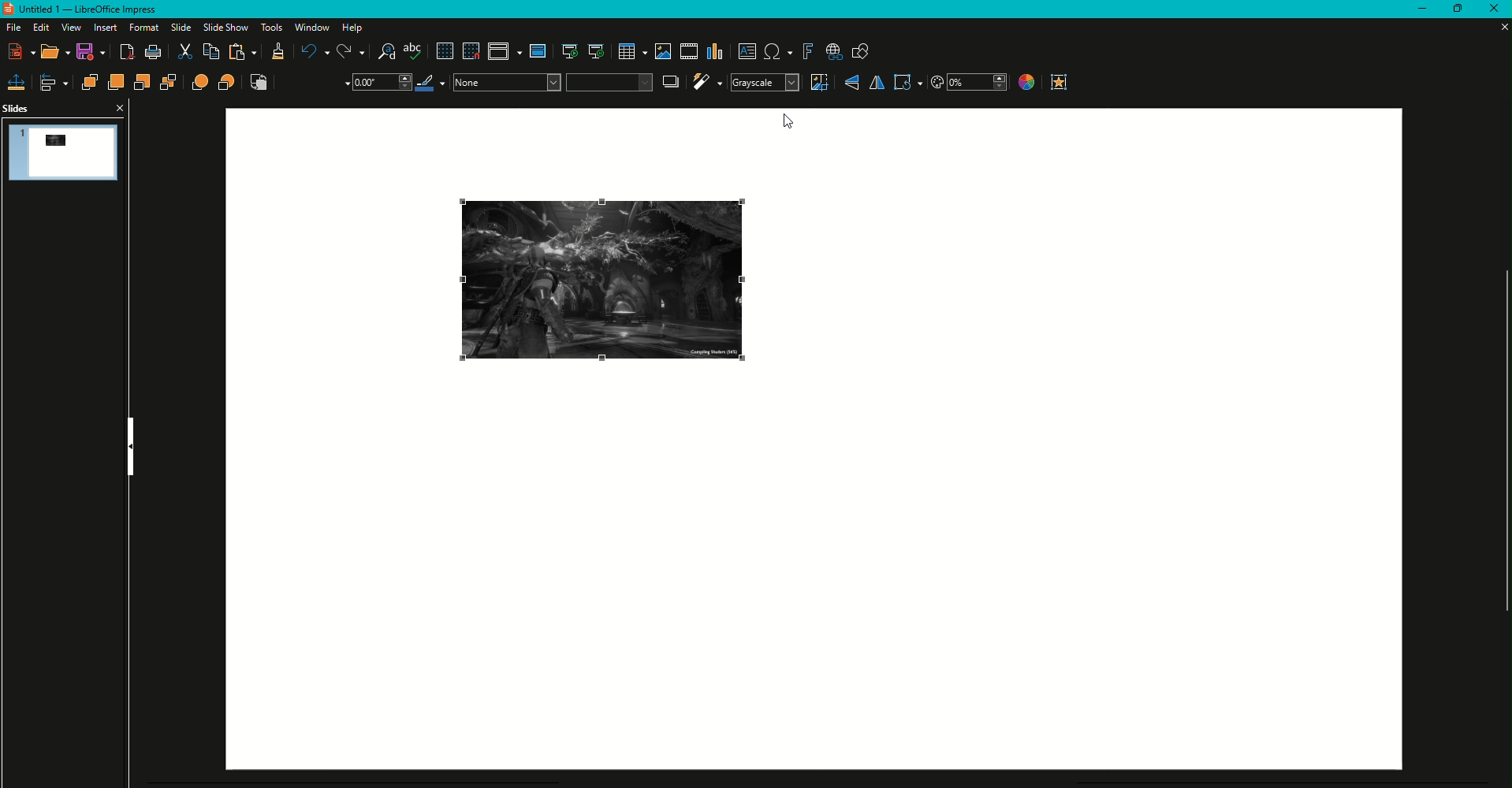  Describe the element at coordinates (313, 51) in the screenshot. I see `Undo` at that location.